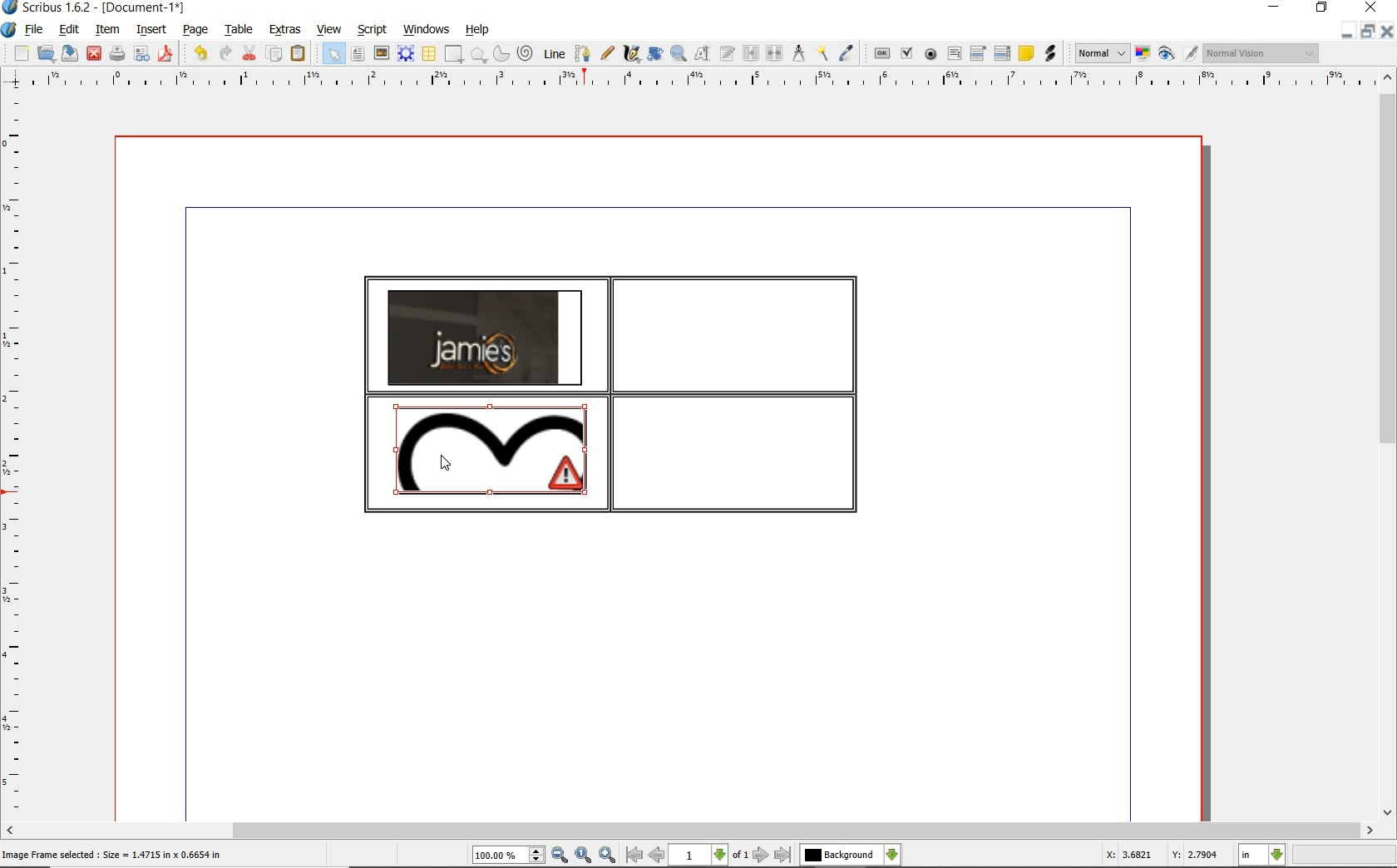  What do you see at coordinates (503, 55) in the screenshot?
I see `arc` at bounding box center [503, 55].